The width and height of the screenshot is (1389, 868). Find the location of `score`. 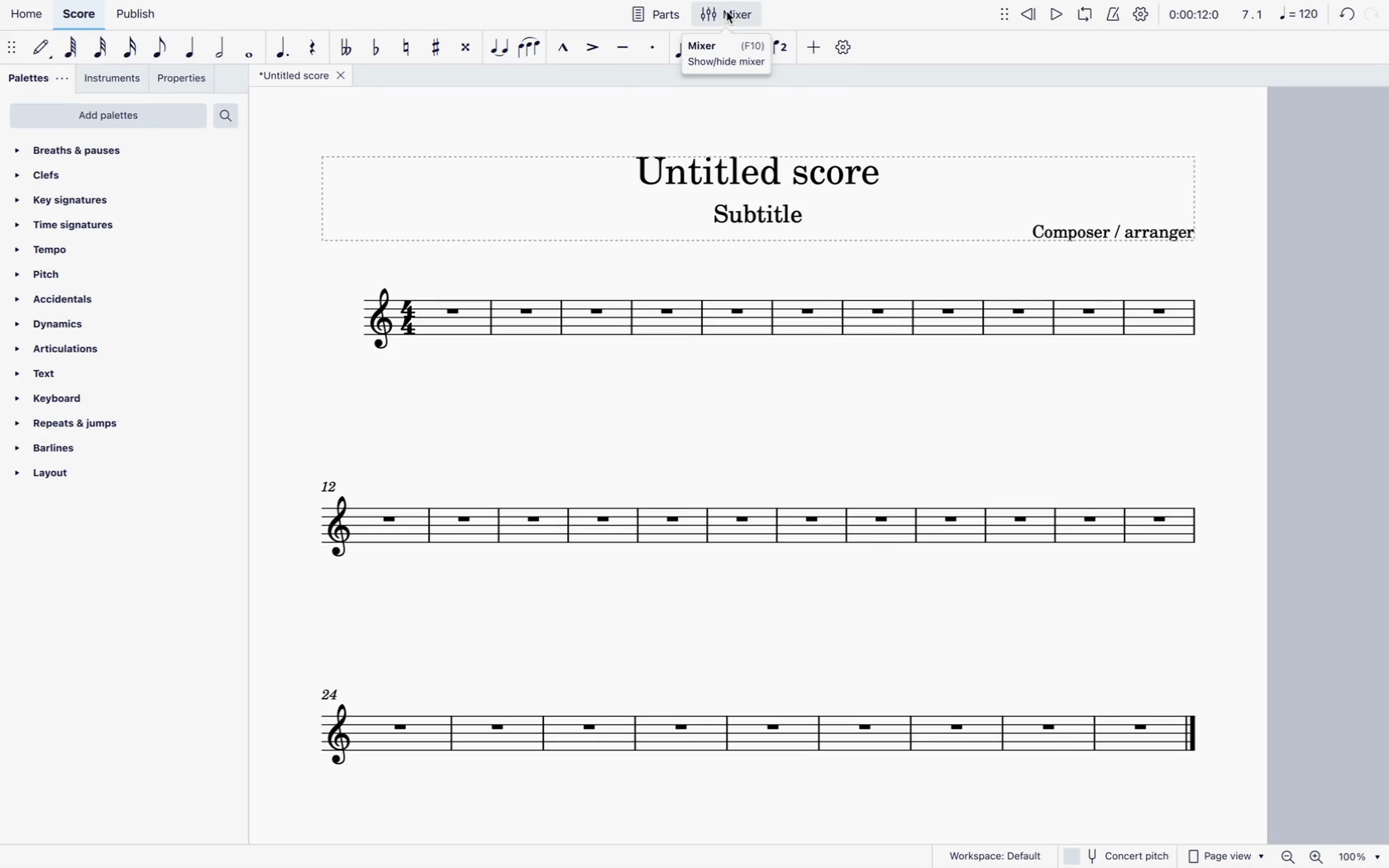

score is located at coordinates (779, 324).